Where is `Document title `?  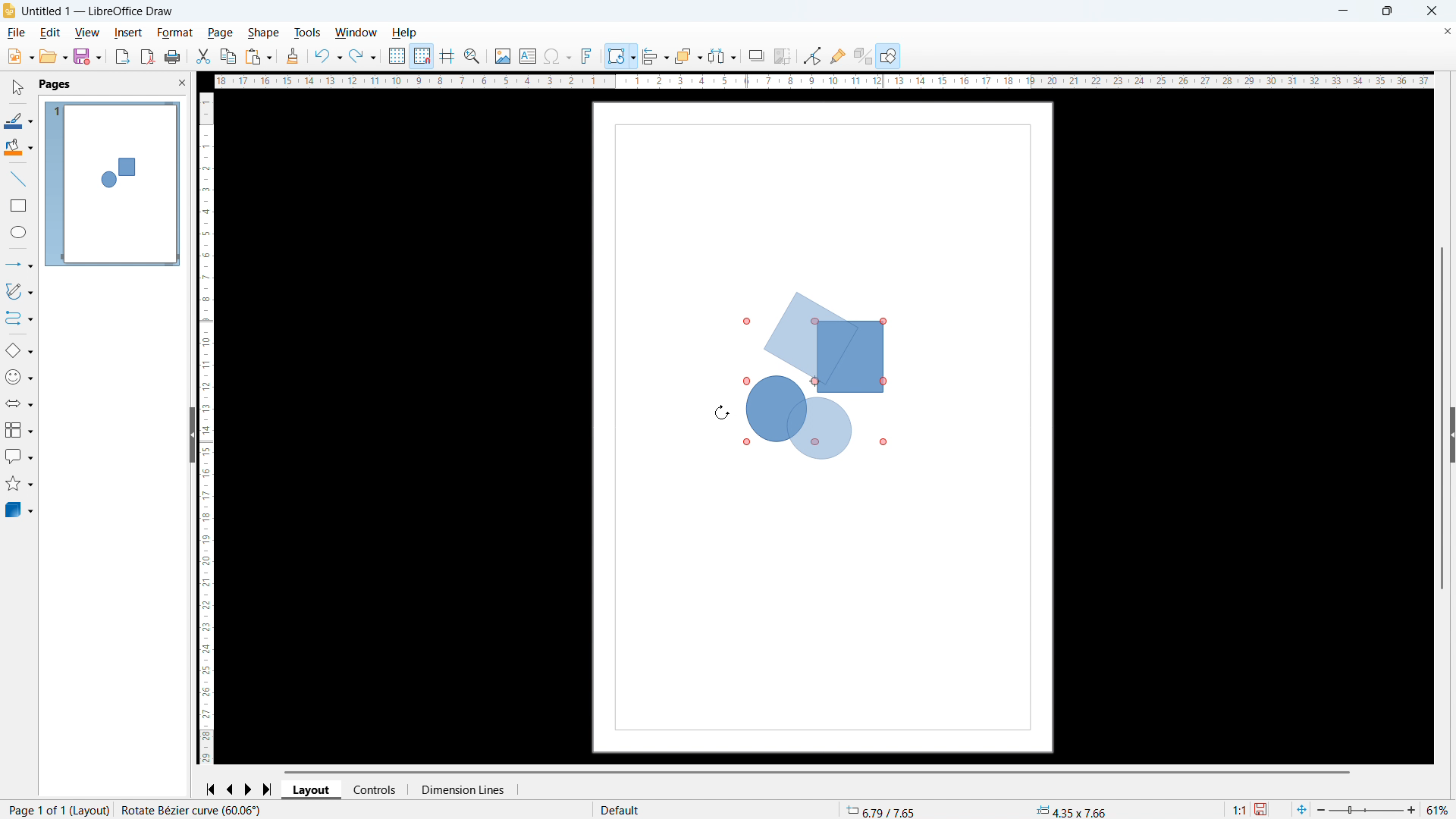 Document title  is located at coordinates (98, 11).